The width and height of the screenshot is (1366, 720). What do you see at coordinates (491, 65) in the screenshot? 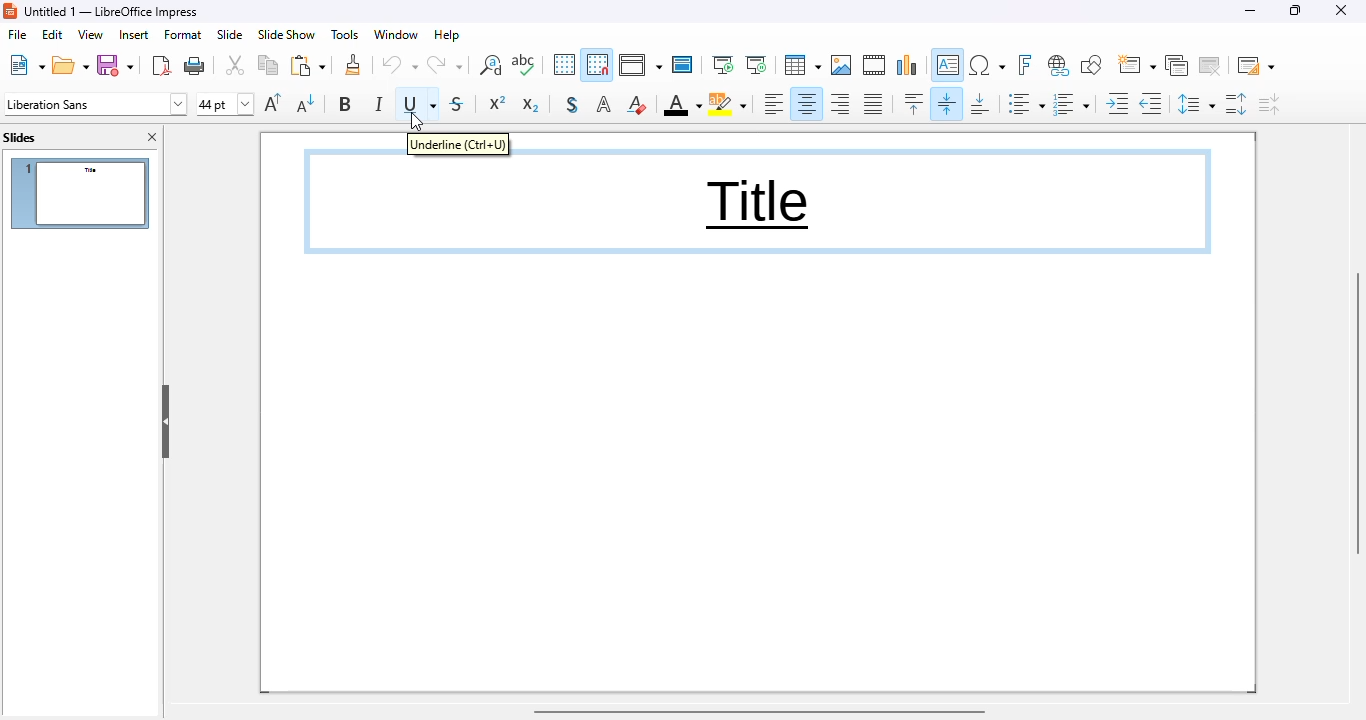
I see `find and replace` at bounding box center [491, 65].